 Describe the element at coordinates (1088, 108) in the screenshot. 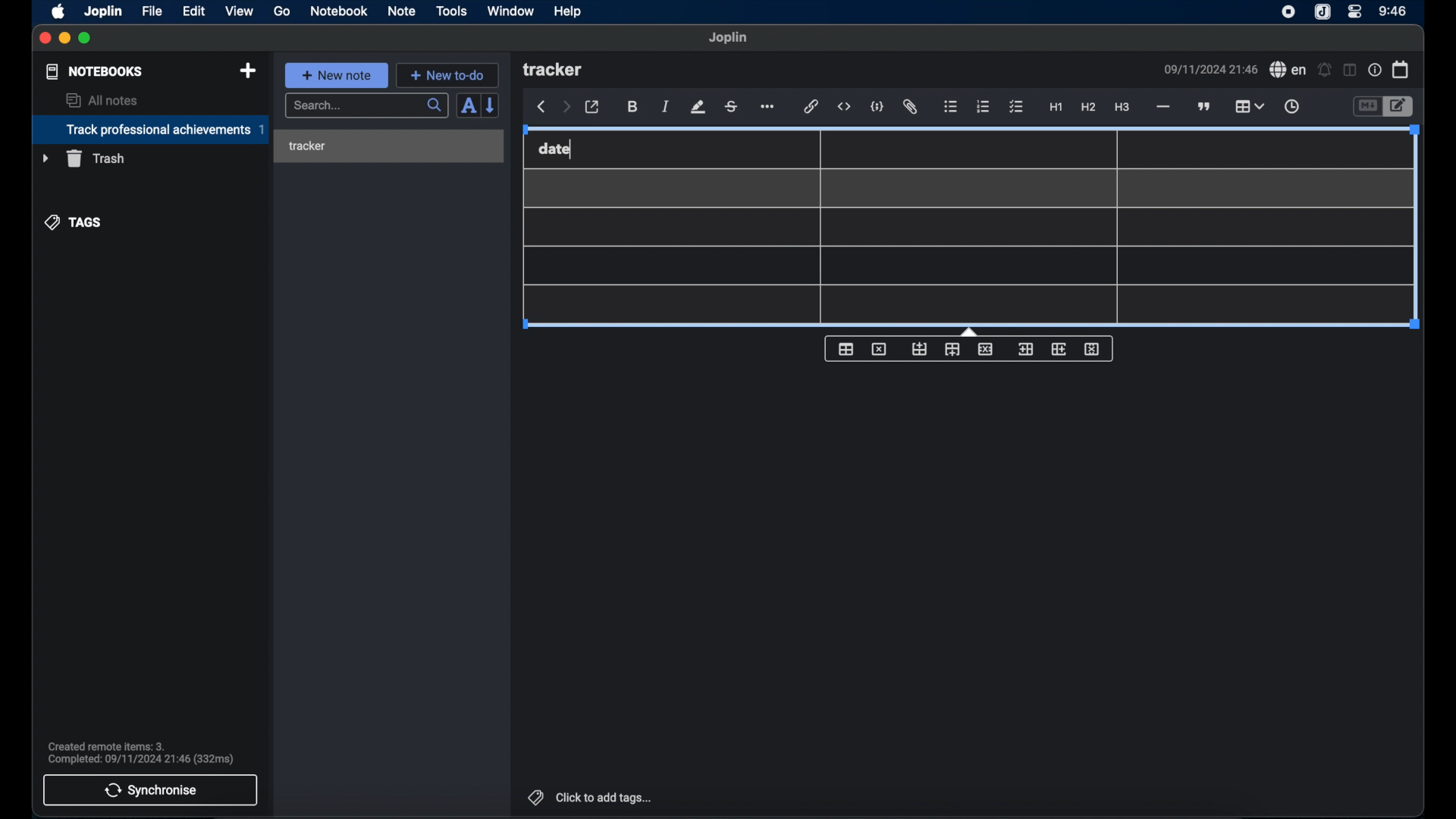

I see `heading 2` at that location.